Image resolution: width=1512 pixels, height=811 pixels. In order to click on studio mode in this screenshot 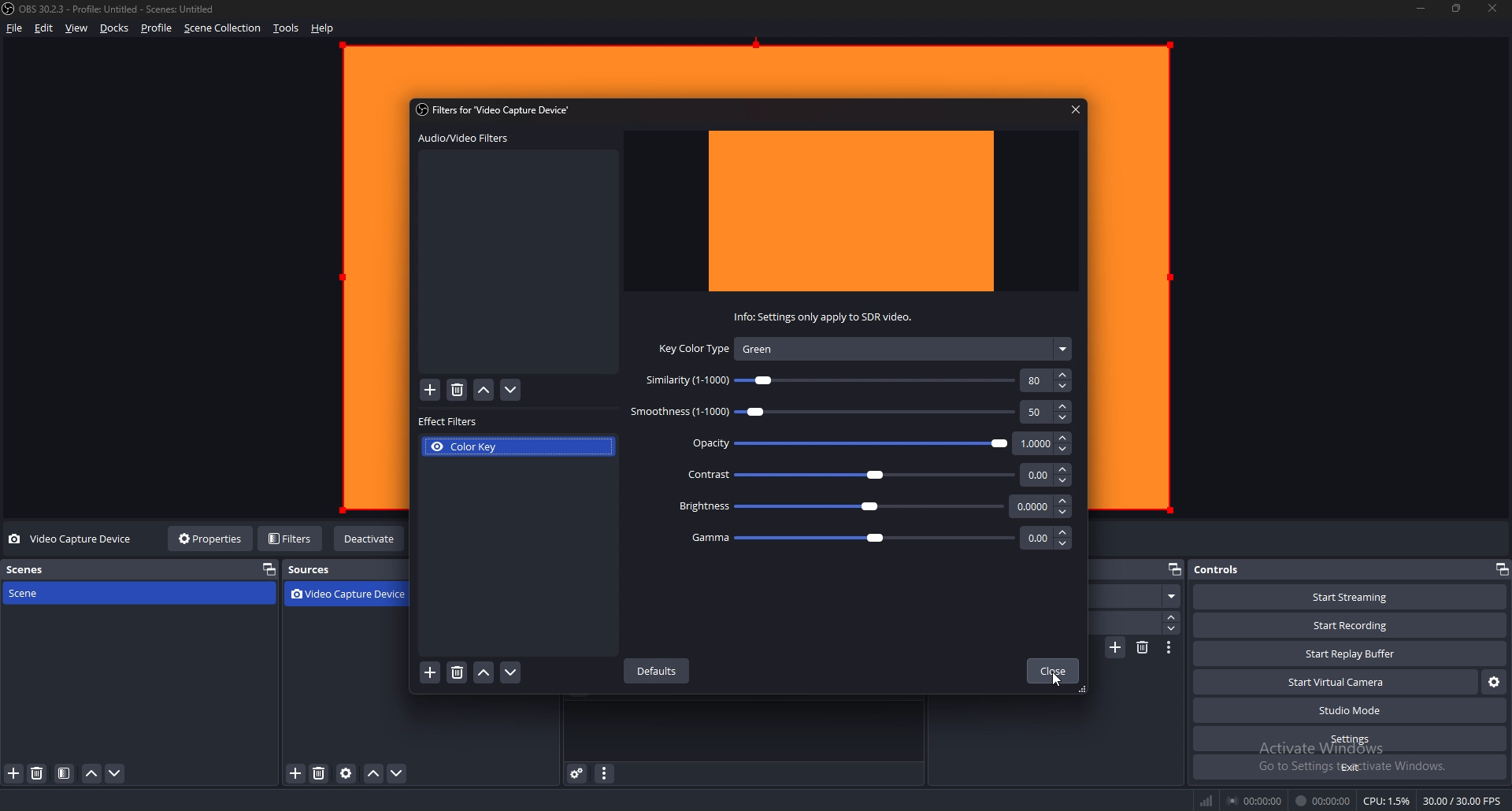, I will do `click(1348, 711)`.